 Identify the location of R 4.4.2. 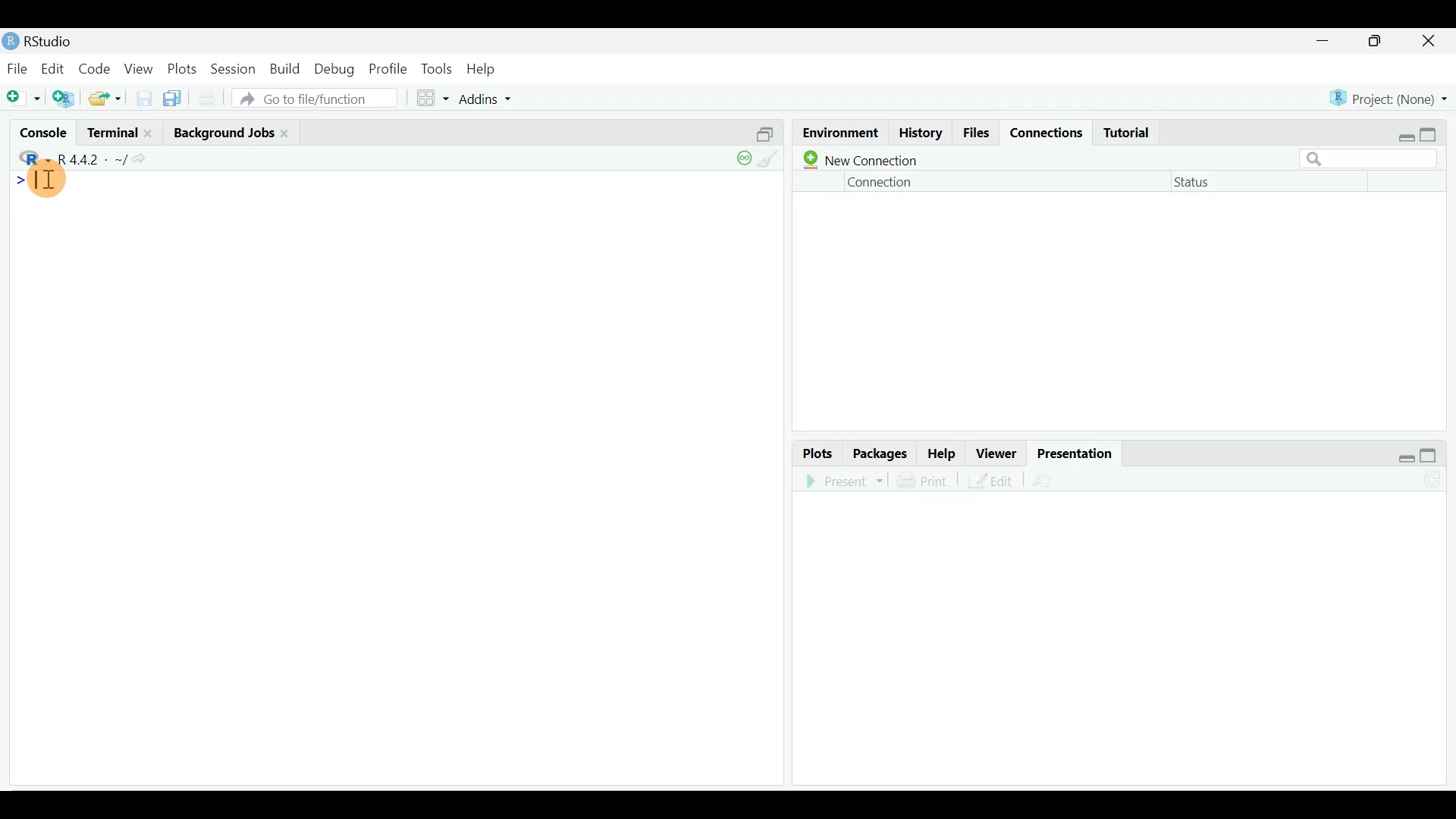
(93, 159).